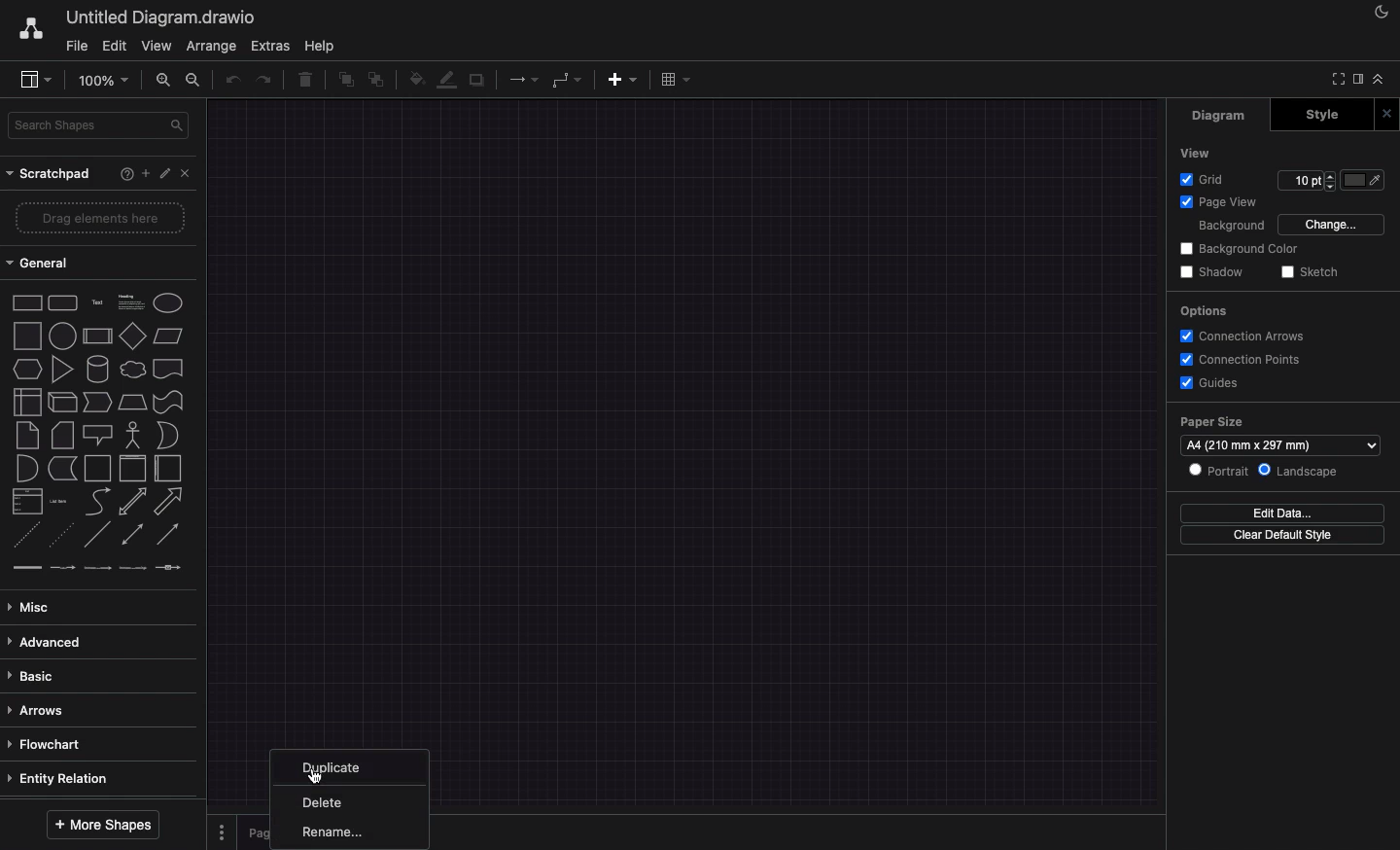  What do you see at coordinates (133, 469) in the screenshot?
I see `container` at bounding box center [133, 469].